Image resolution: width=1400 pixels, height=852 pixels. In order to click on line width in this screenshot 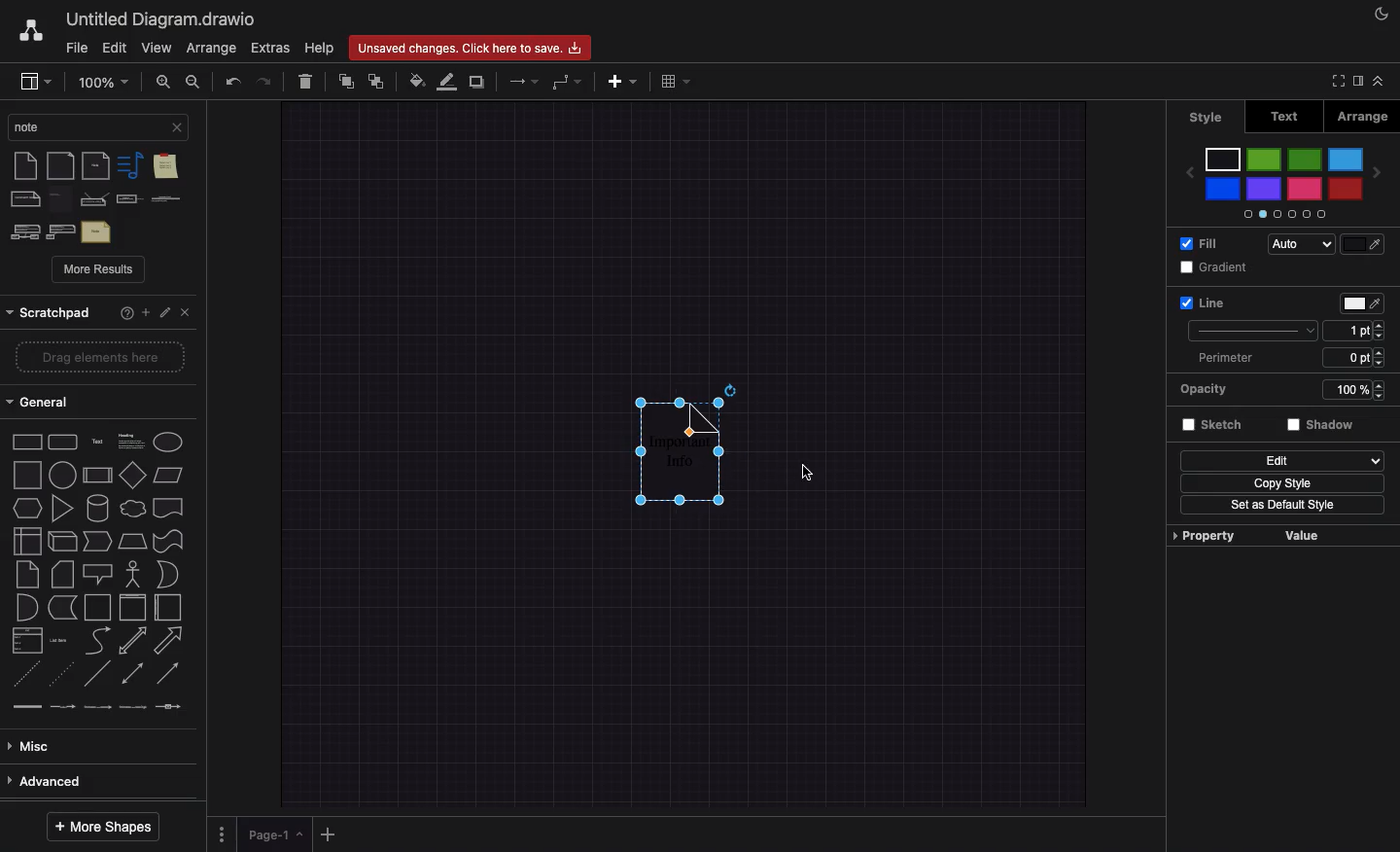, I will do `click(1347, 330)`.